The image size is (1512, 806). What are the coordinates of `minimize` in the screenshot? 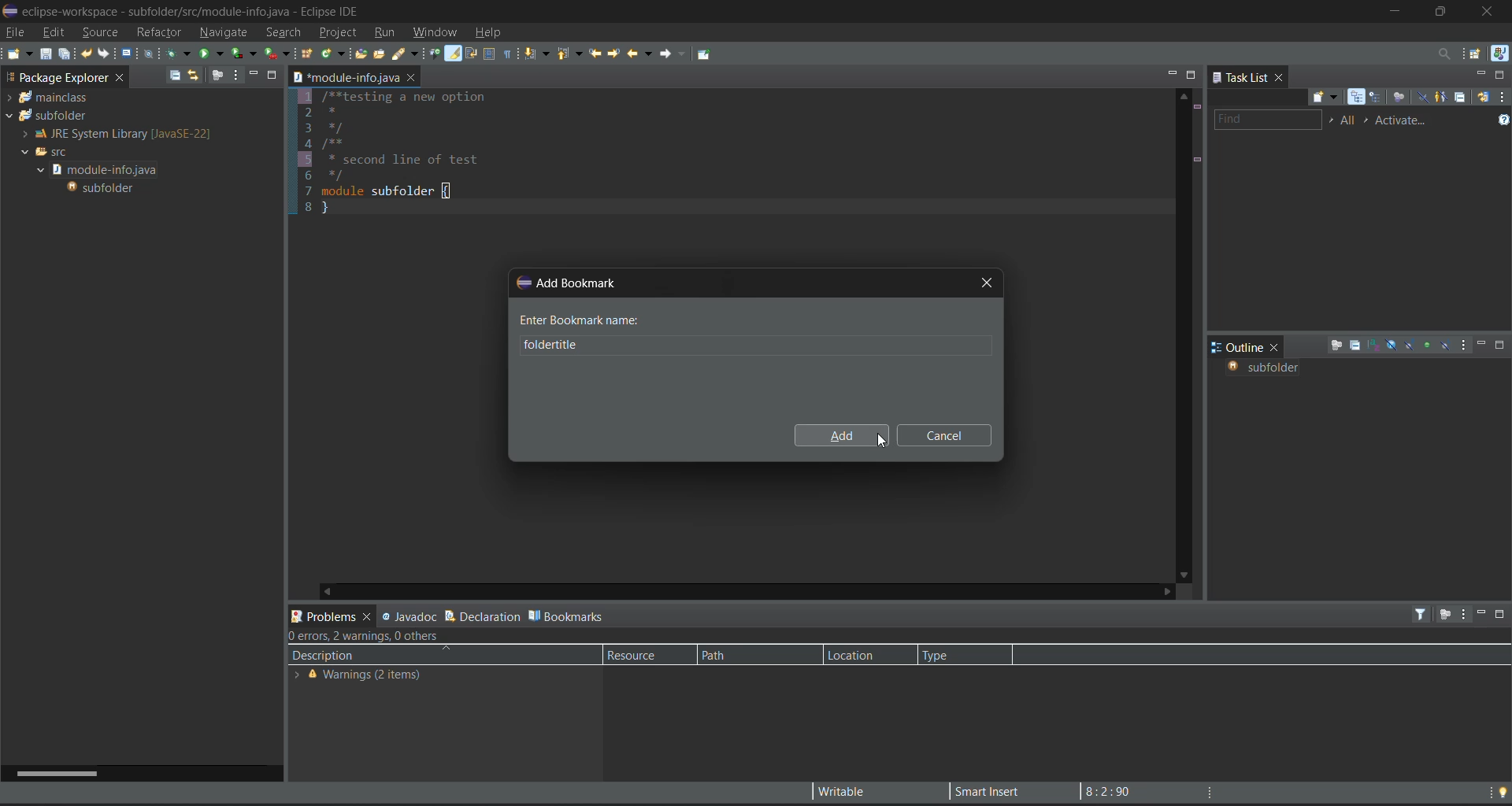 It's located at (1170, 72).